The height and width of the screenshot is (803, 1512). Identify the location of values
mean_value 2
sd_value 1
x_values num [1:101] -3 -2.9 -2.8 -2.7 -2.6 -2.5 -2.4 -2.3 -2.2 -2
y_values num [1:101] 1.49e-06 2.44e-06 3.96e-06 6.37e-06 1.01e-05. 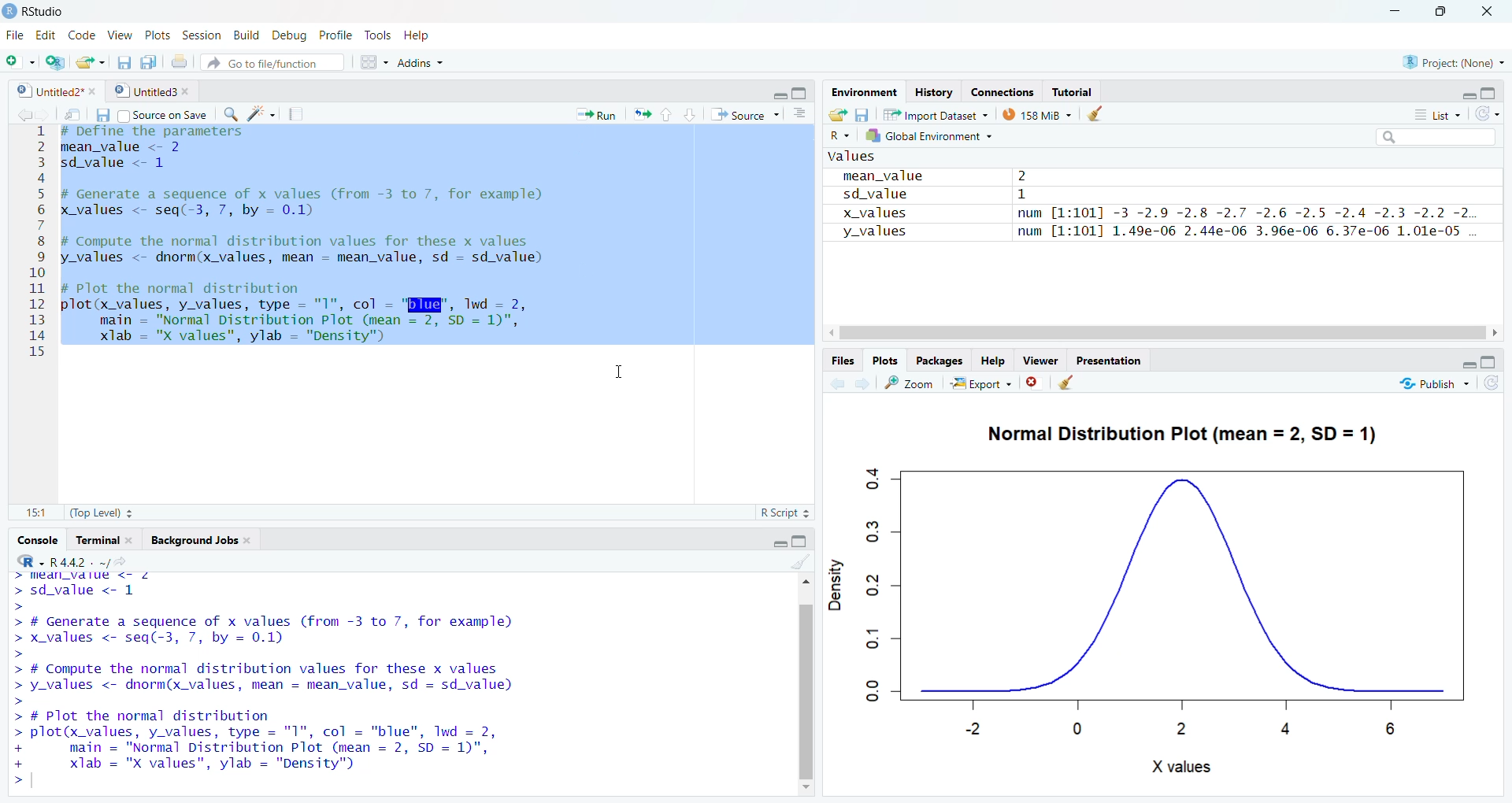
(1154, 216).